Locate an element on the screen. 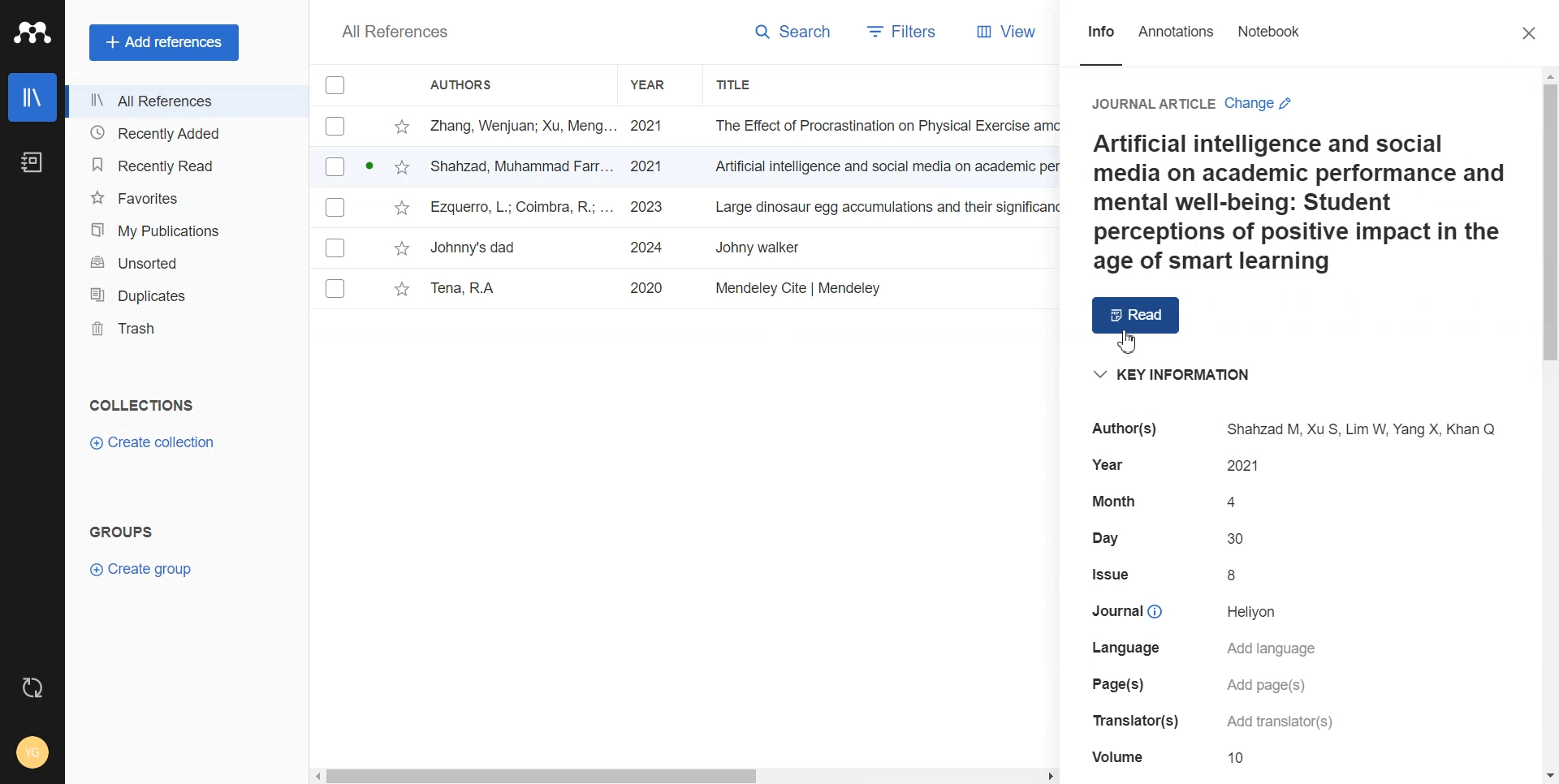 Image resolution: width=1559 pixels, height=784 pixels. Notebook is located at coordinates (1267, 43).